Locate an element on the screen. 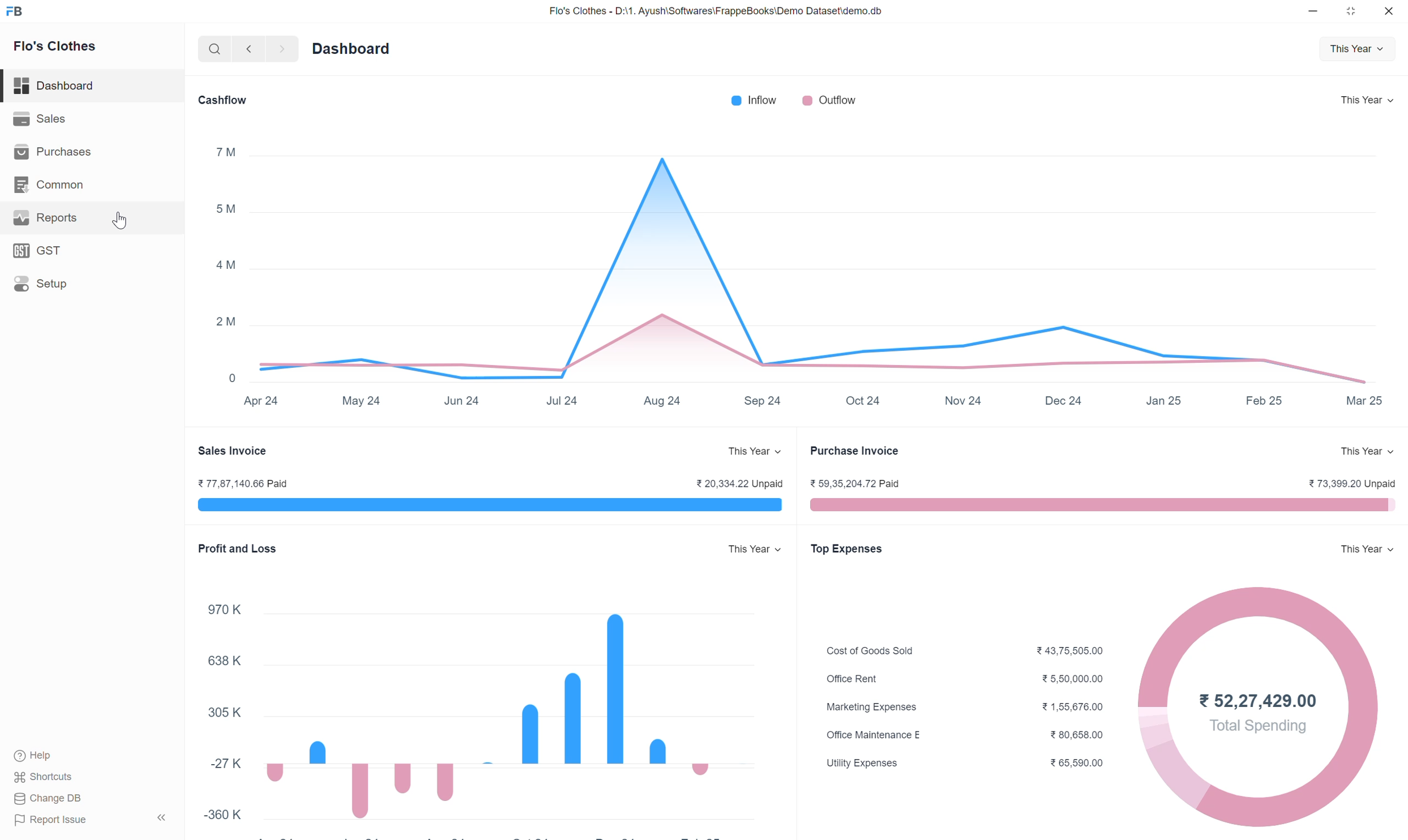 The image size is (1408, 840). back is located at coordinates (248, 50).